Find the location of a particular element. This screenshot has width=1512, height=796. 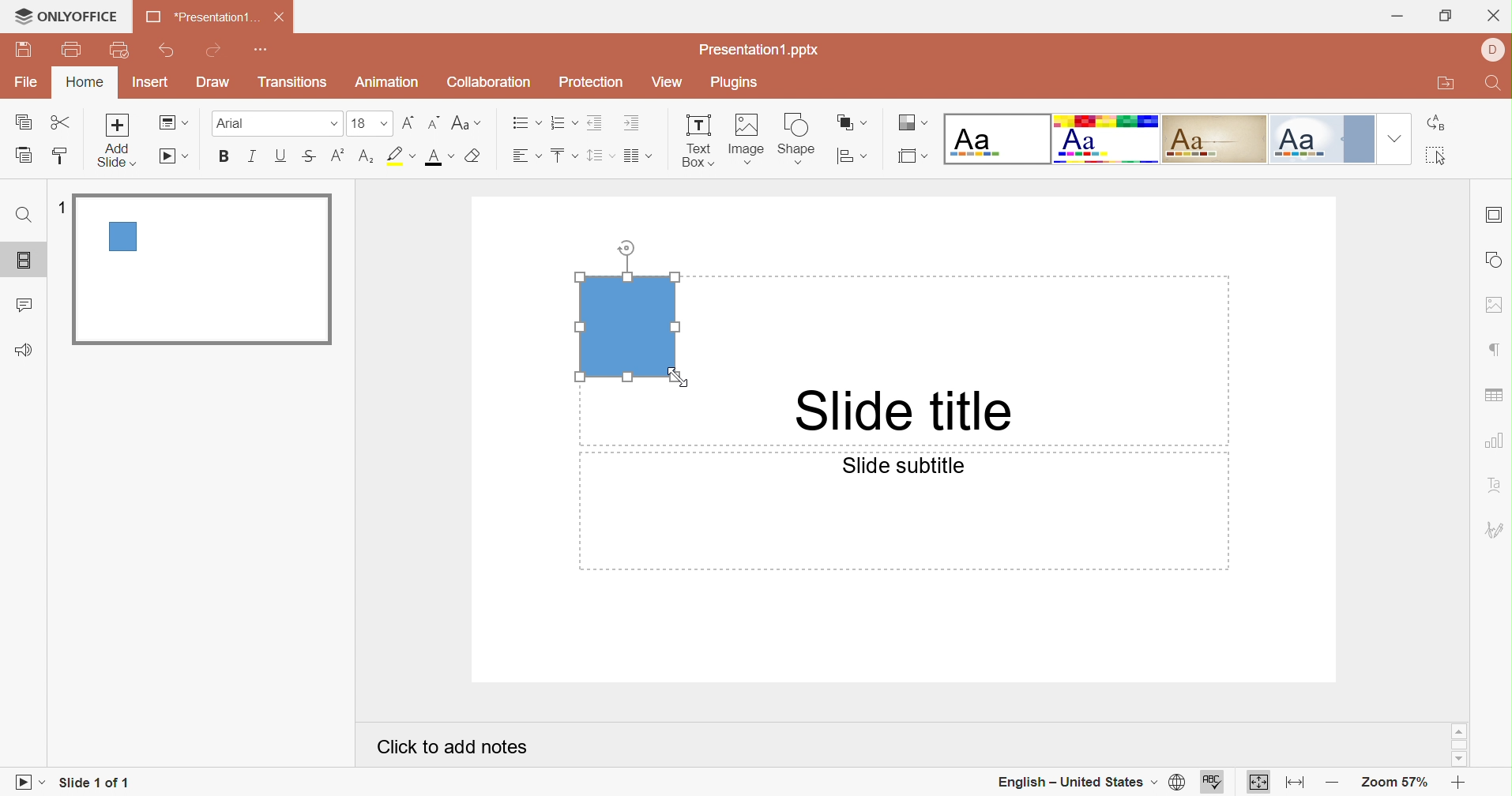

Start slideshow is located at coordinates (27, 784).